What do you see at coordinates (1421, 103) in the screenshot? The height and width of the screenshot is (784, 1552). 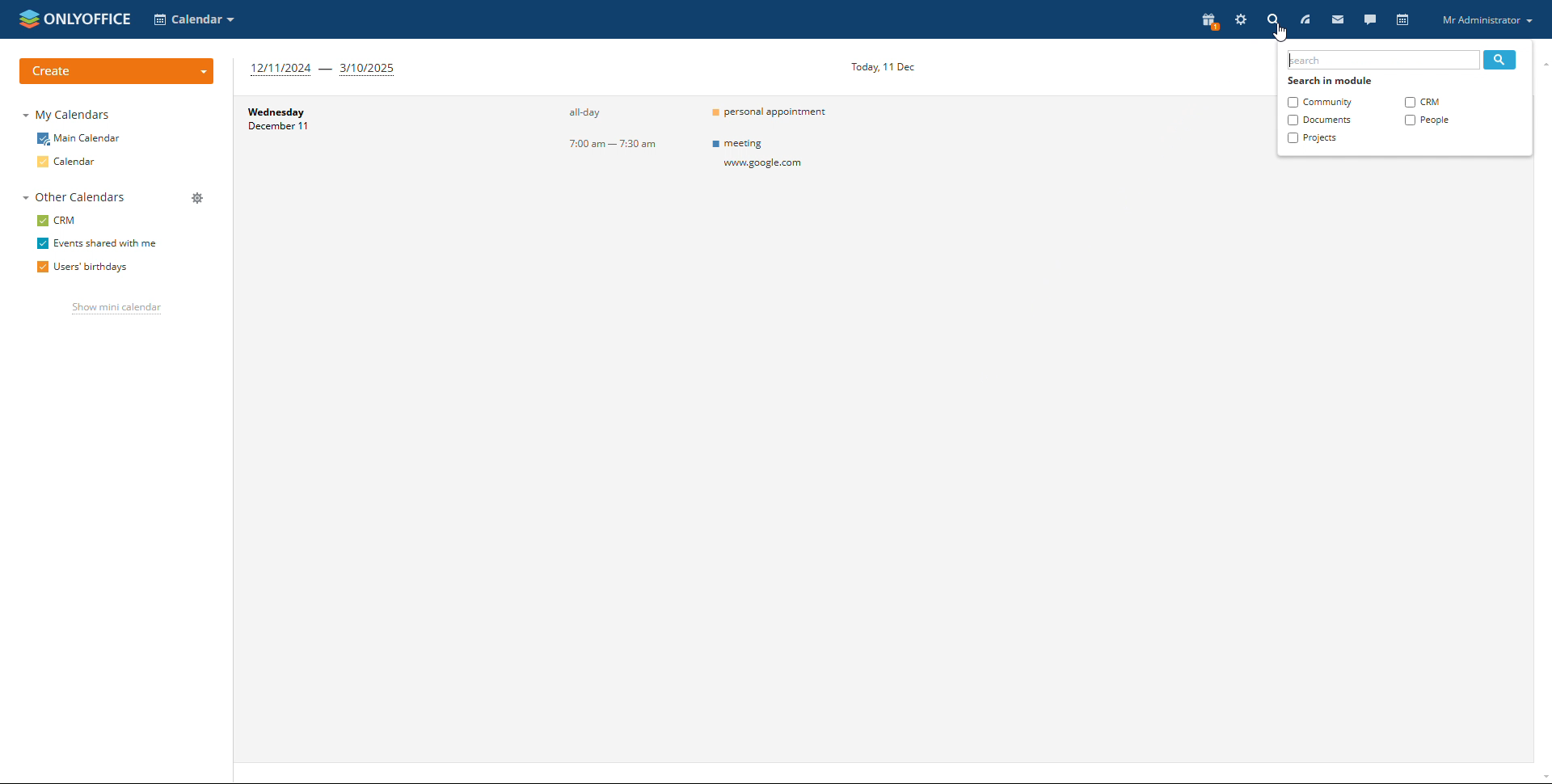 I see `crm` at bounding box center [1421, 103].